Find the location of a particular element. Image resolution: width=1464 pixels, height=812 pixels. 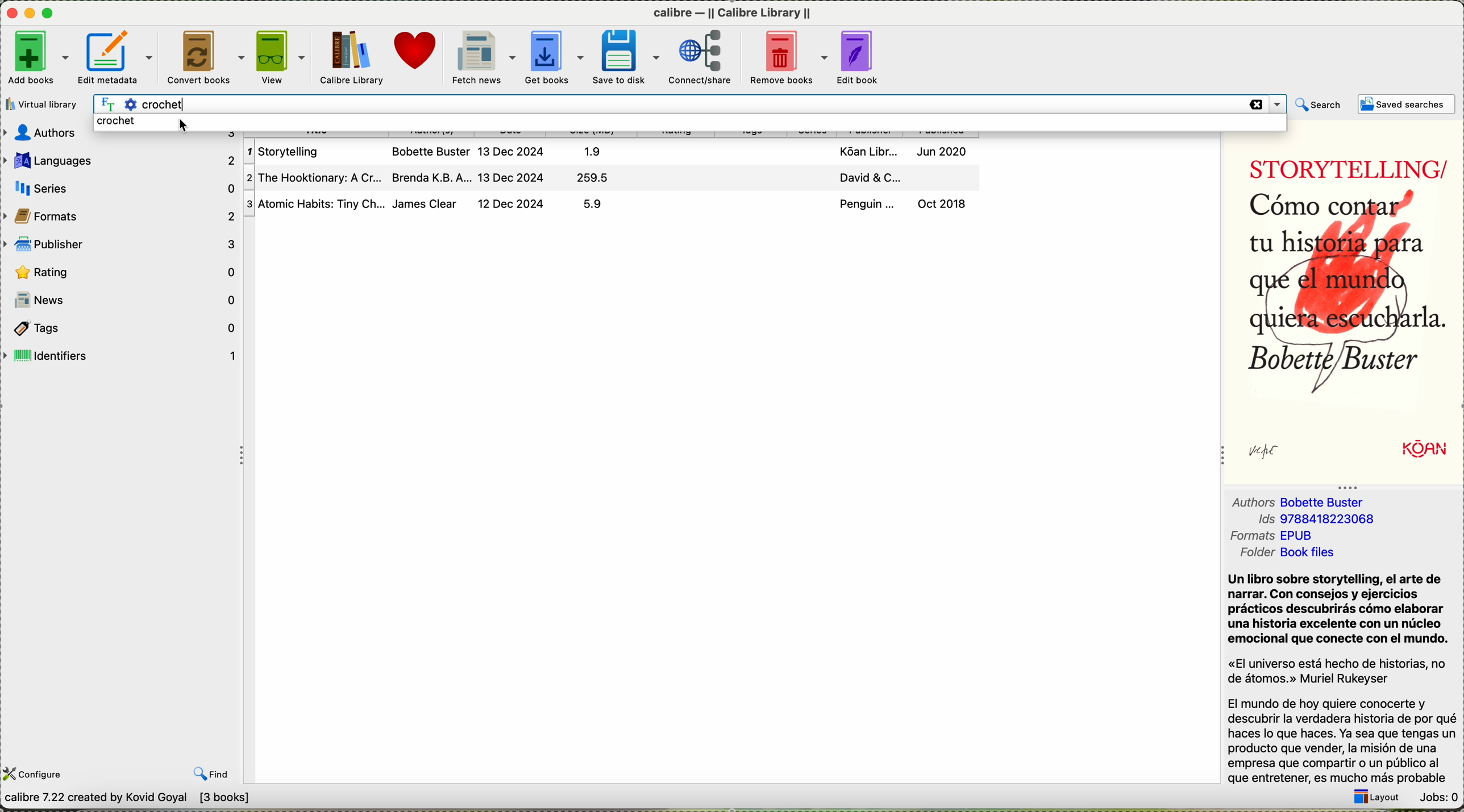

12 Dec 2024 is located at coordinates (514, 205).